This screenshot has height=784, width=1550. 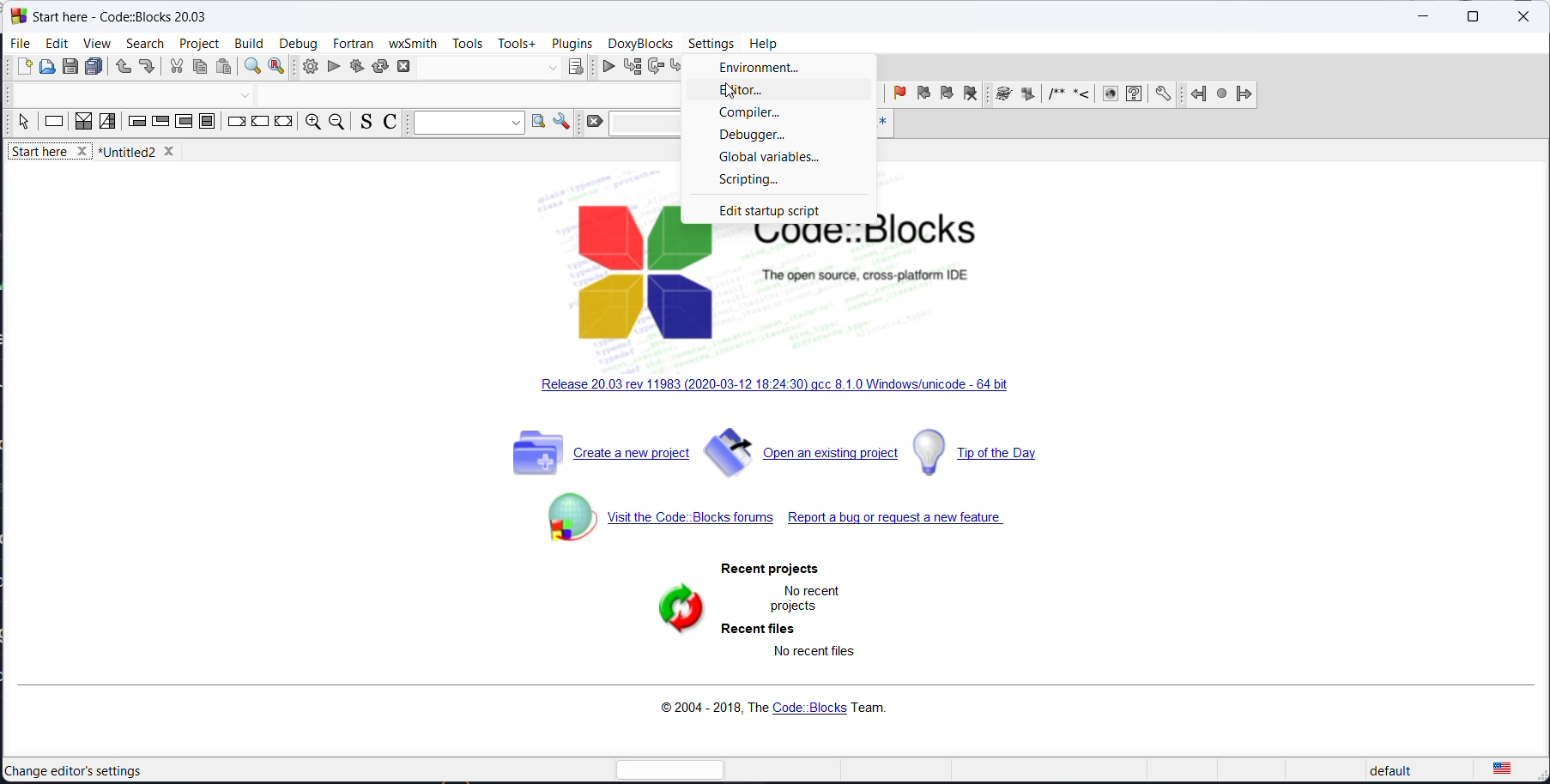 What do you see at coordinates (94, 45) in the screenshot?
I see `view` at bounding box center [94, 45].